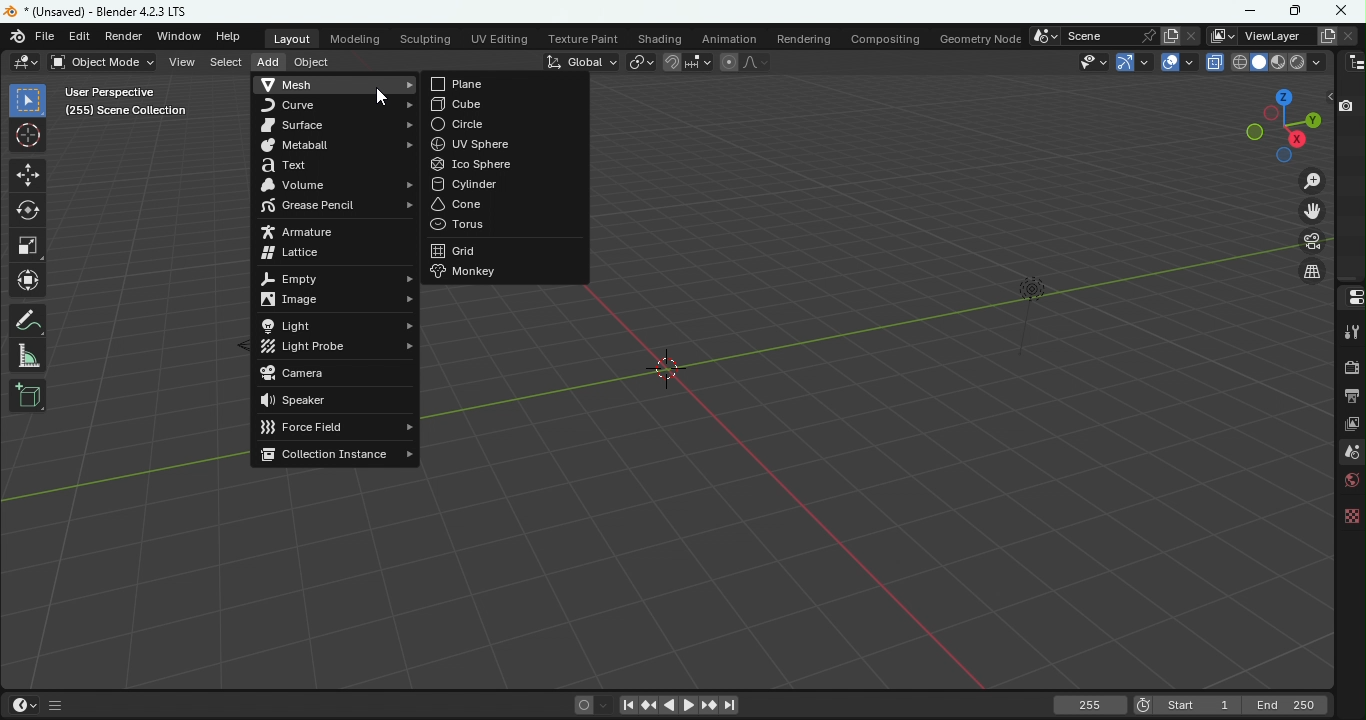 The height and width of the screenshot is (720, 1366). I want to click on Grid, so click(508, 250).